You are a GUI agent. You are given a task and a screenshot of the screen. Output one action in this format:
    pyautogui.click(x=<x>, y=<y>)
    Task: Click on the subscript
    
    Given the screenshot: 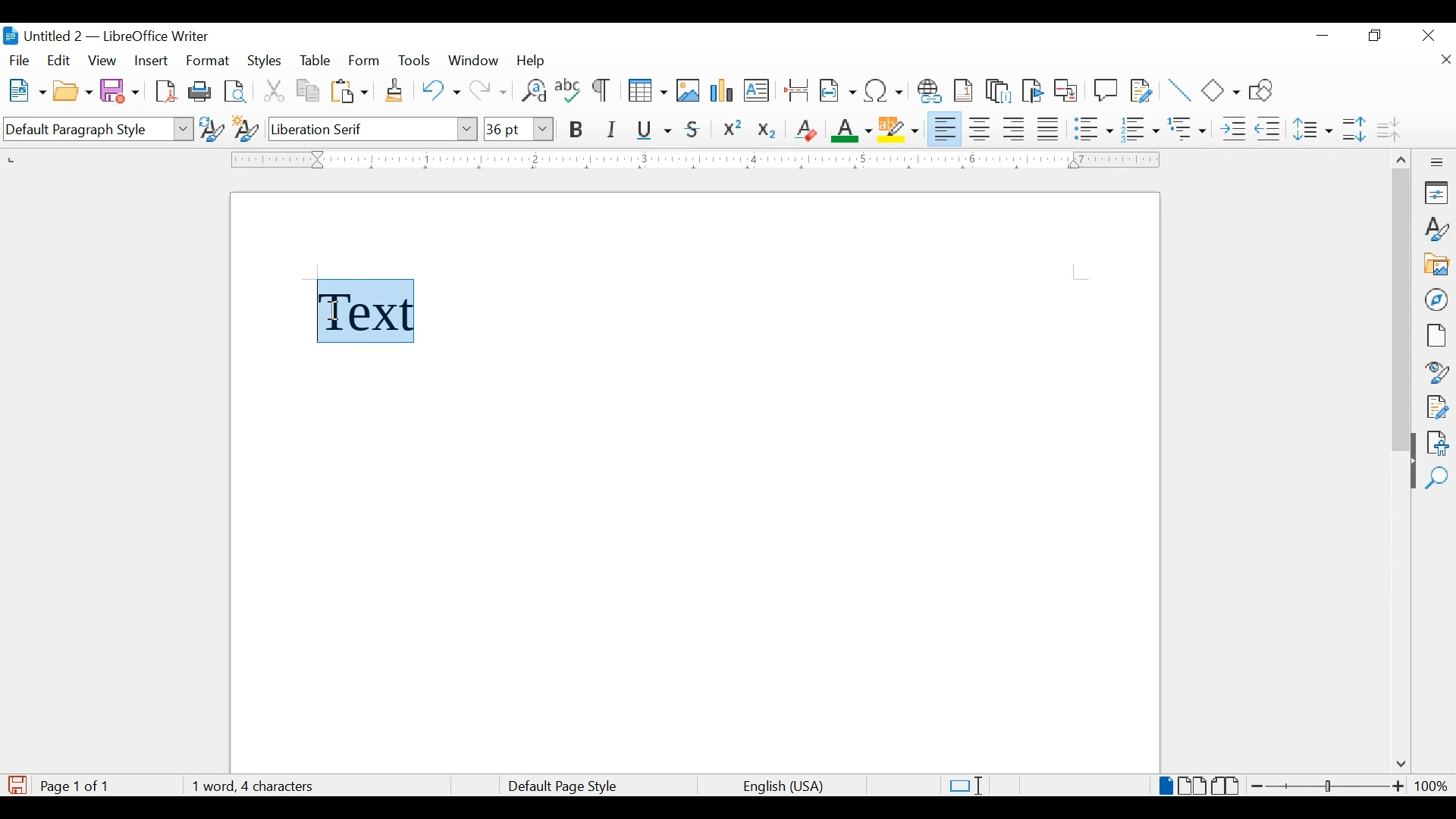 What is the action you would take?
    pyautogui.click(x=768, y=133)
    